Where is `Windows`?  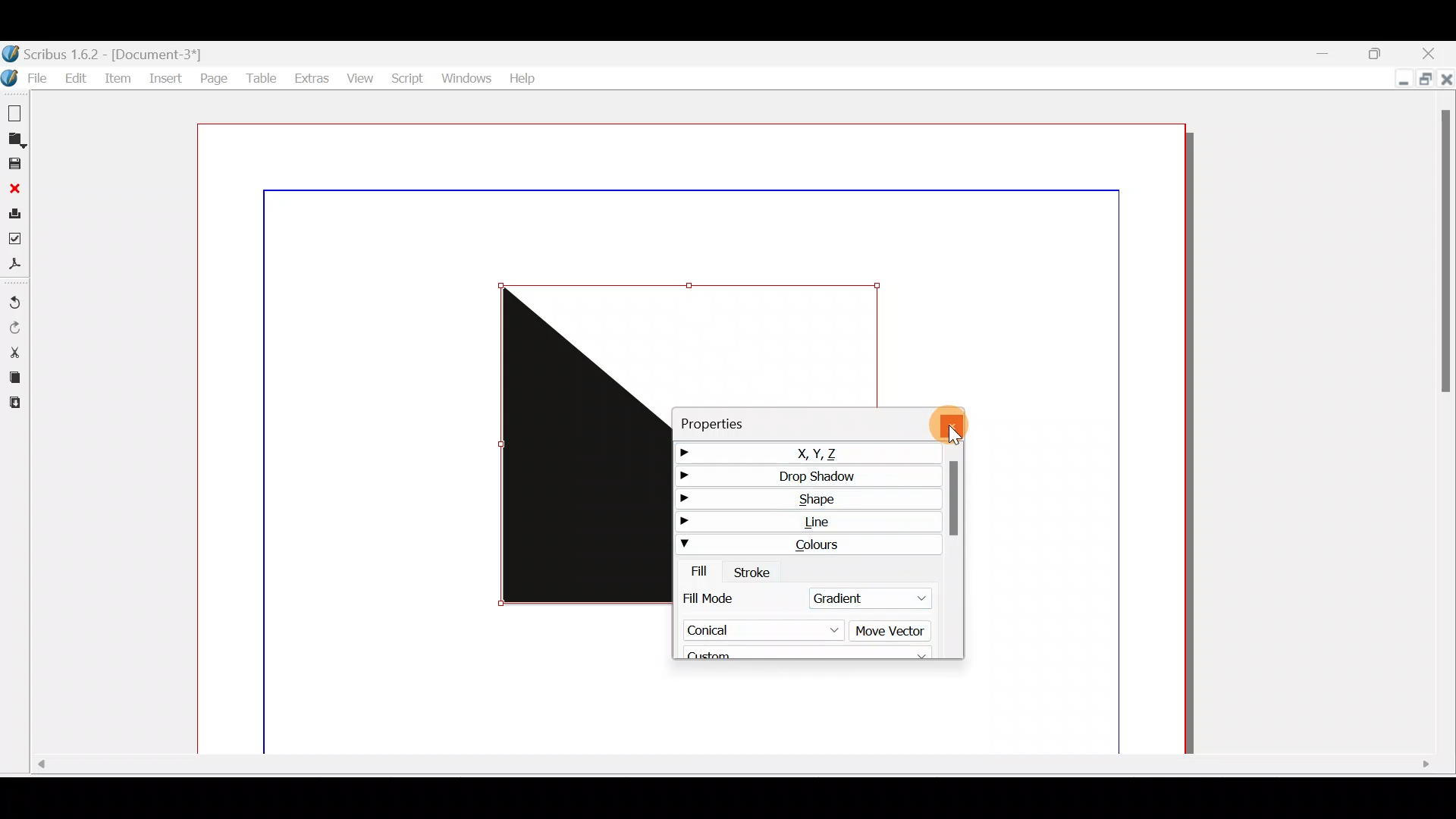 Windows is located at coordinates (464, 75).